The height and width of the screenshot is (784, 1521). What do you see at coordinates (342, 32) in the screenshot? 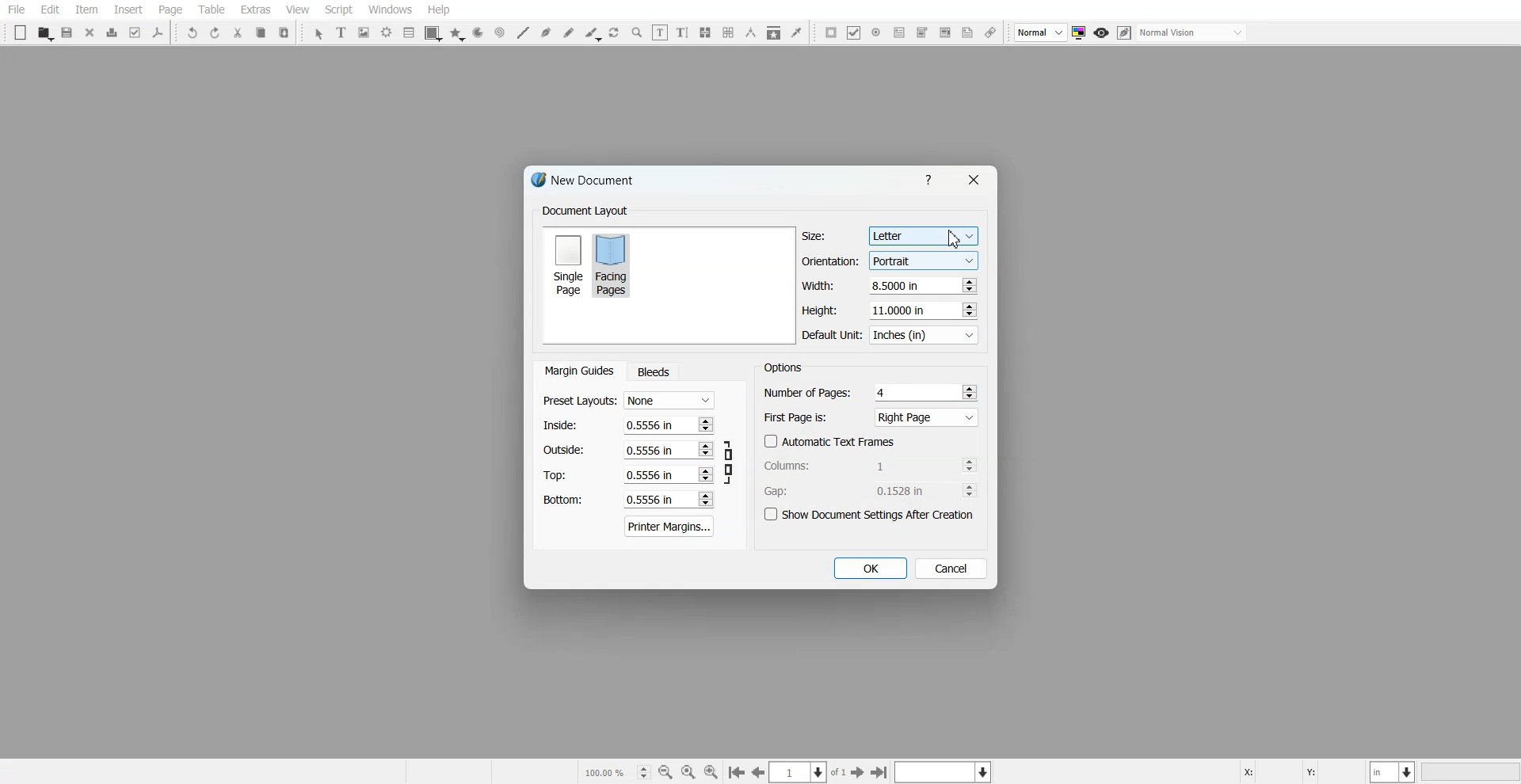
I see `Text Frame` at bounding box center [342, 32].